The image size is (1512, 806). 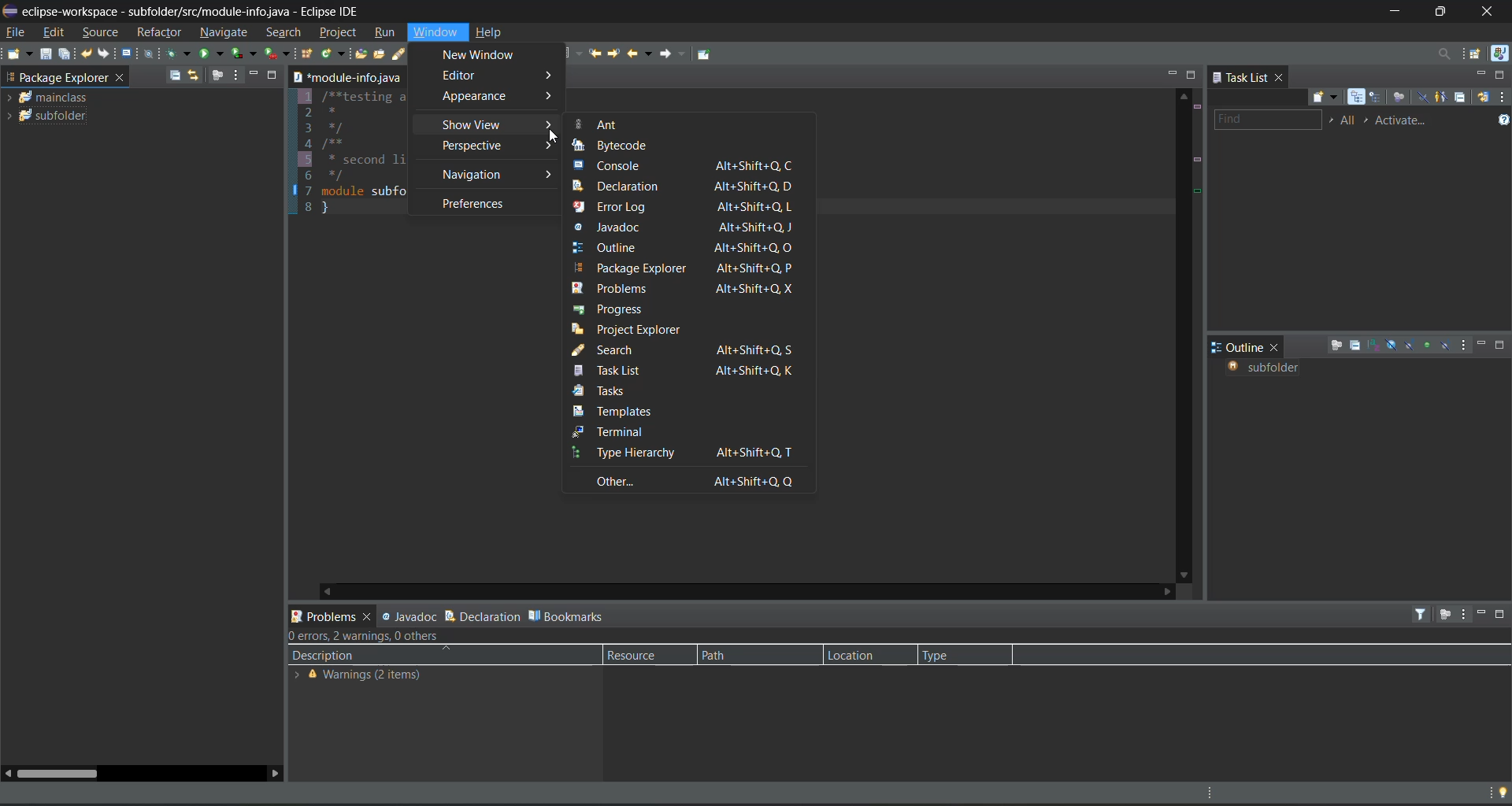 What do you see at coordinates (704, 54) in the screenshot?
I see `pin editor` at bounding box center [704, 54].